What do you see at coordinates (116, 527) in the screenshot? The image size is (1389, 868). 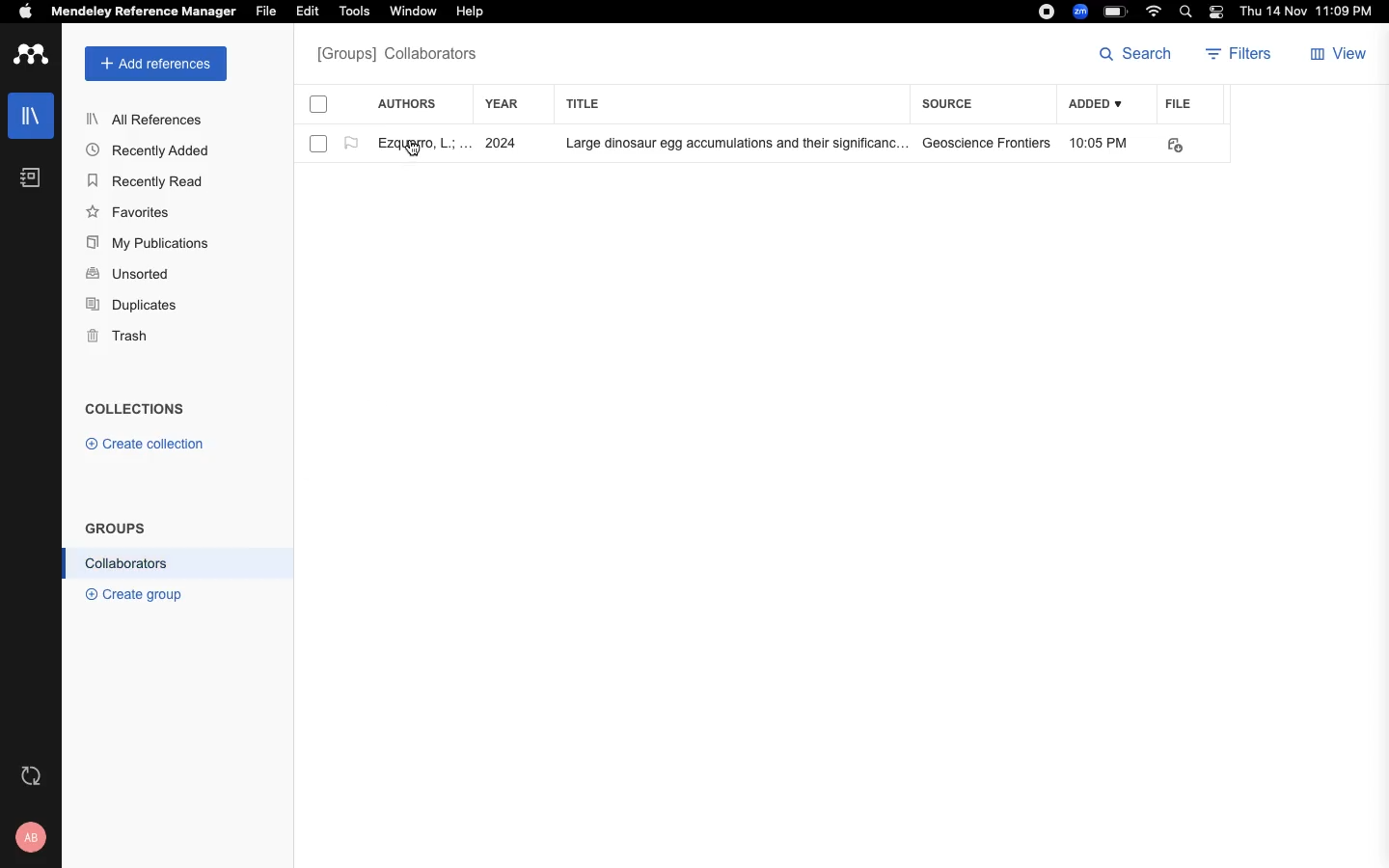 I see `GROUPS` at bounding box center [116, 527].